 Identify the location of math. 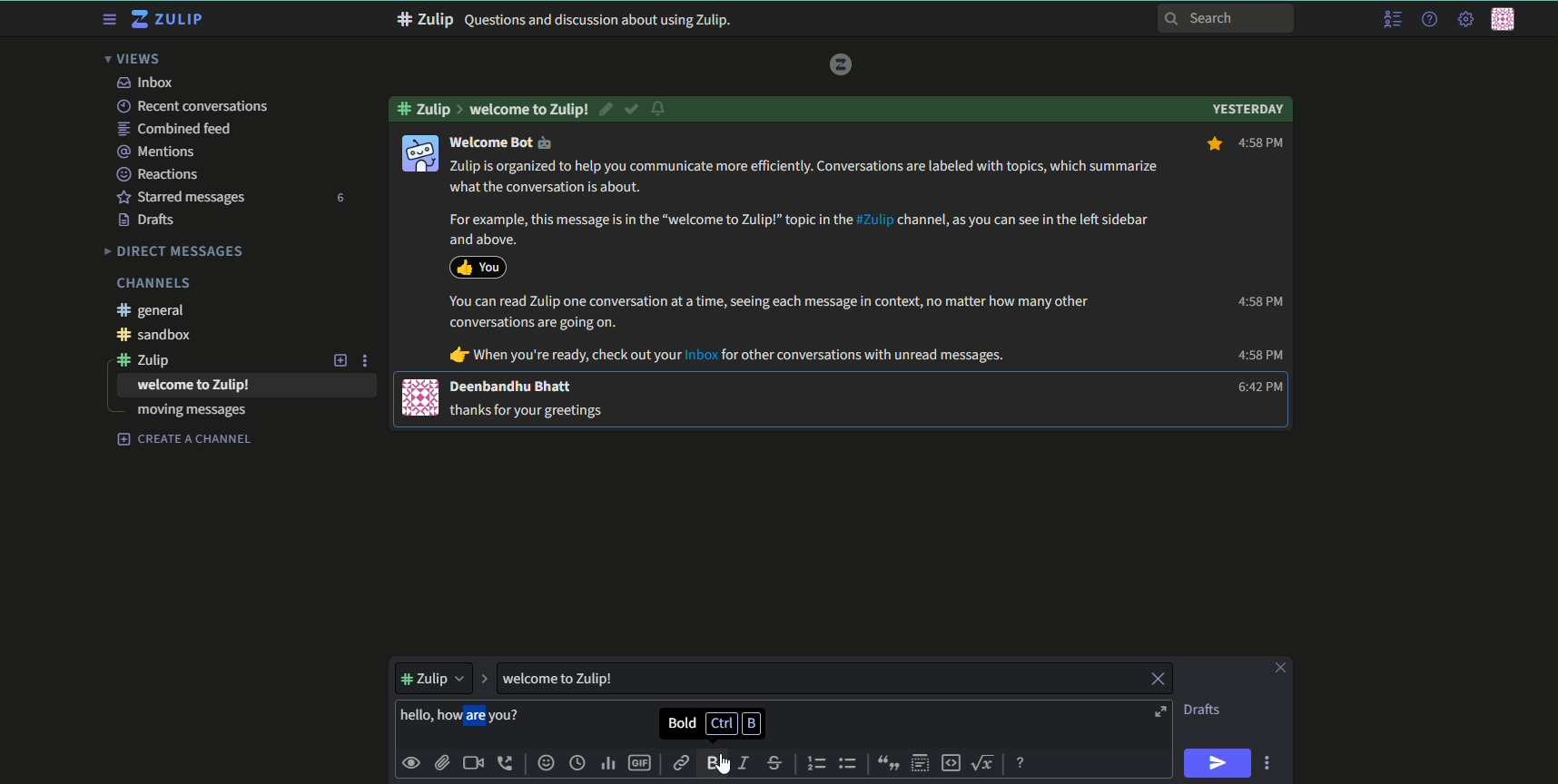
(986, 761).